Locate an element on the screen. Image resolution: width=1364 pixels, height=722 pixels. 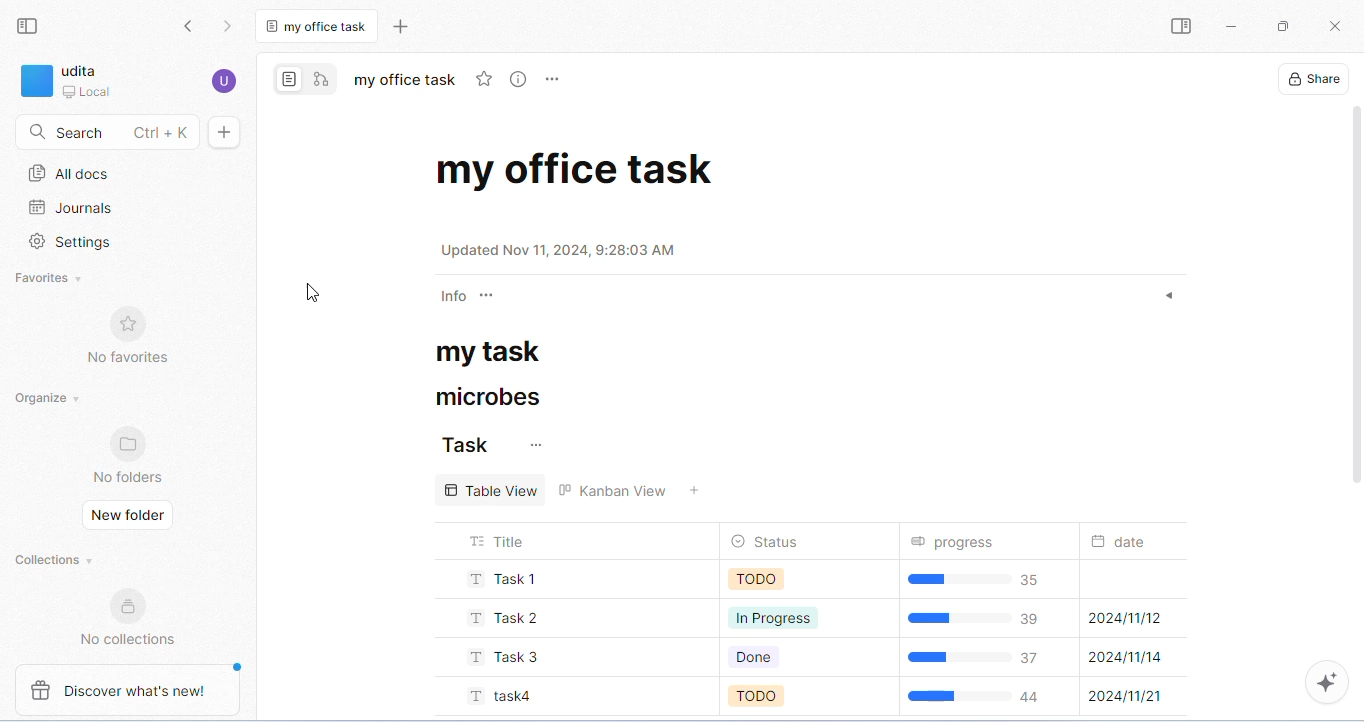
expand is located at coordinates (1170, 297).